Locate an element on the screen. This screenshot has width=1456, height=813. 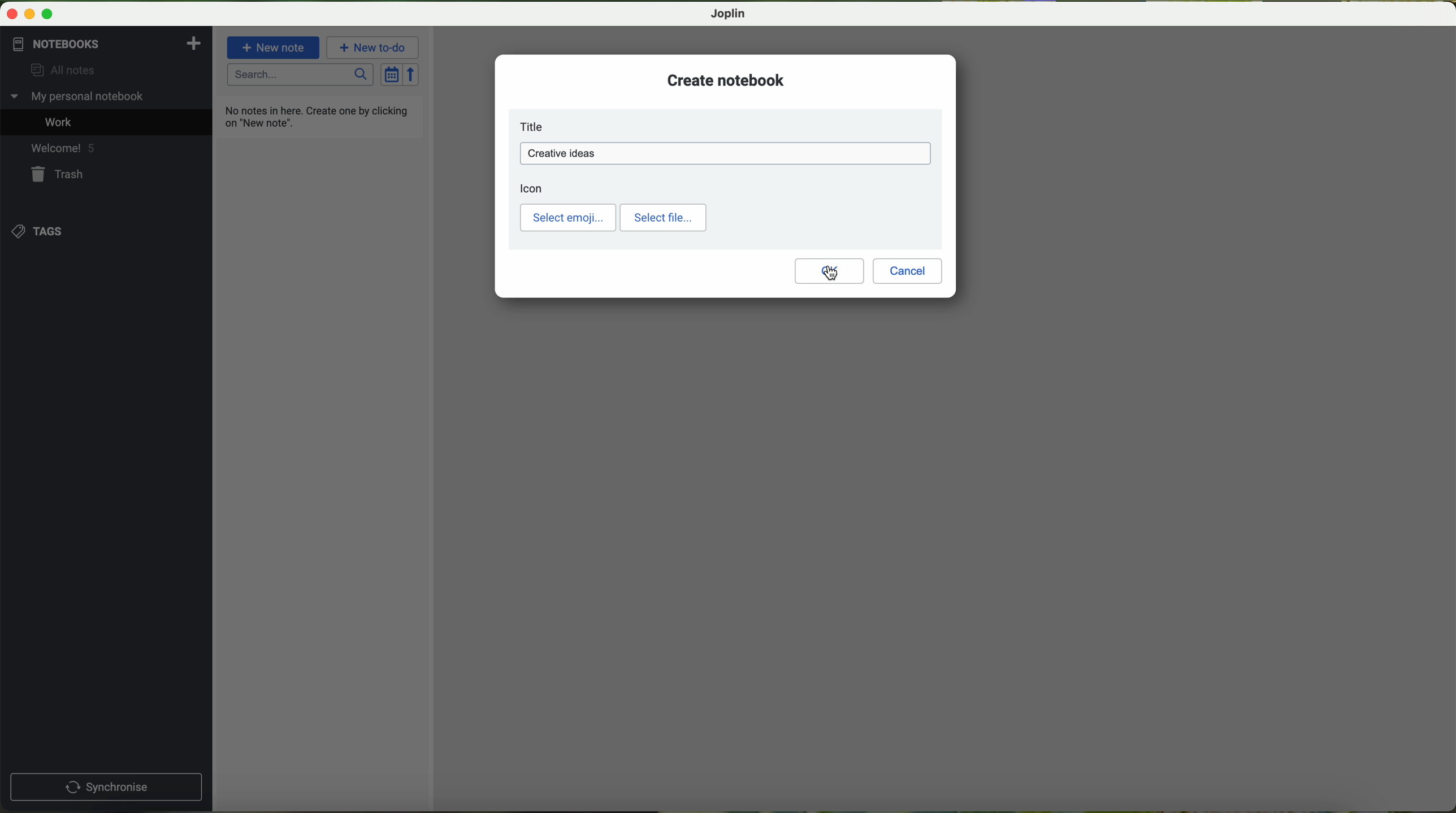
select file is located at coordinates (663, 218).